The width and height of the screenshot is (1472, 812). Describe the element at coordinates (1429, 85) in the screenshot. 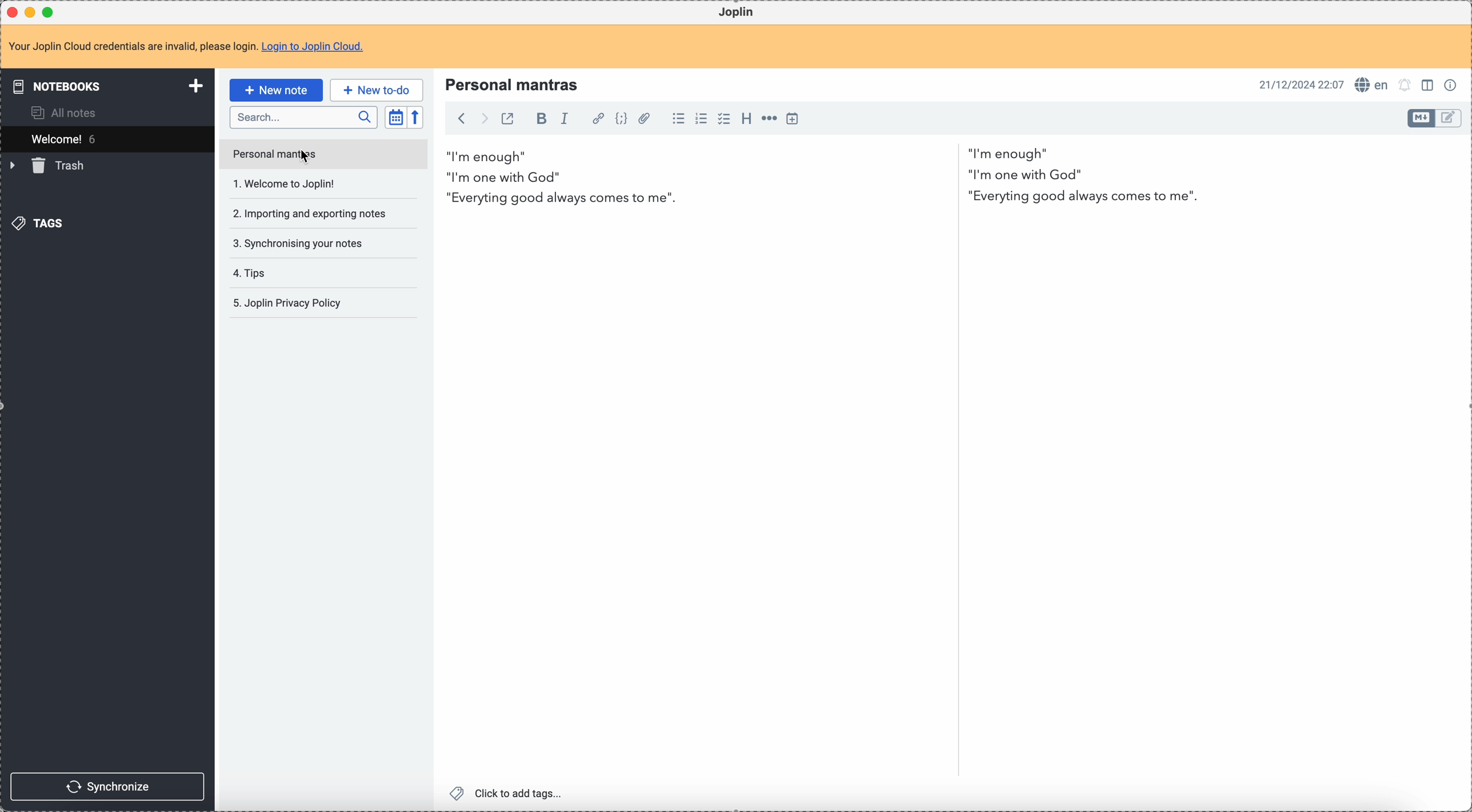

I see `toggle edit layout` at that location.